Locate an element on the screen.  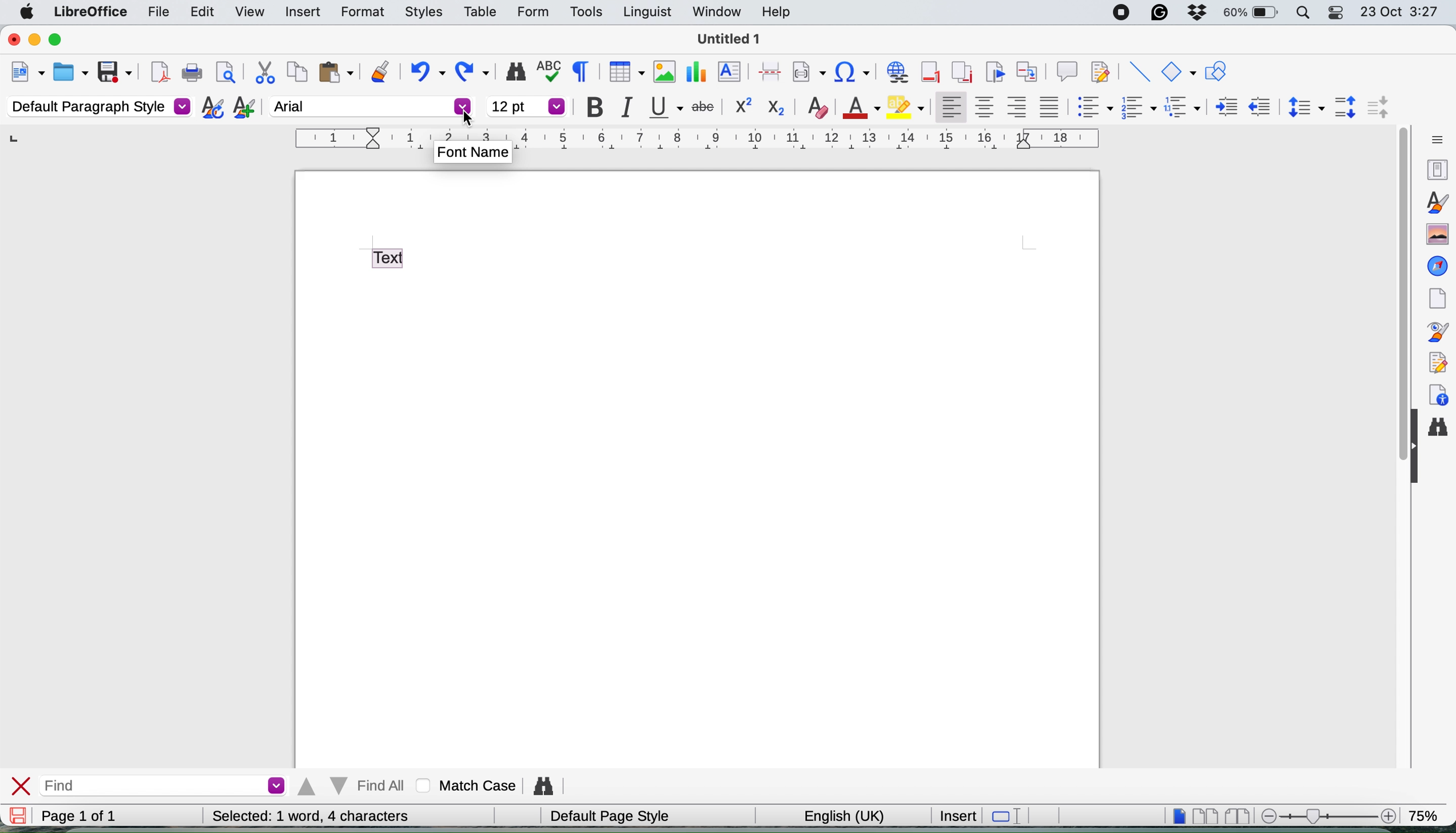
spotlight search is located at coordinates (1302, 14).